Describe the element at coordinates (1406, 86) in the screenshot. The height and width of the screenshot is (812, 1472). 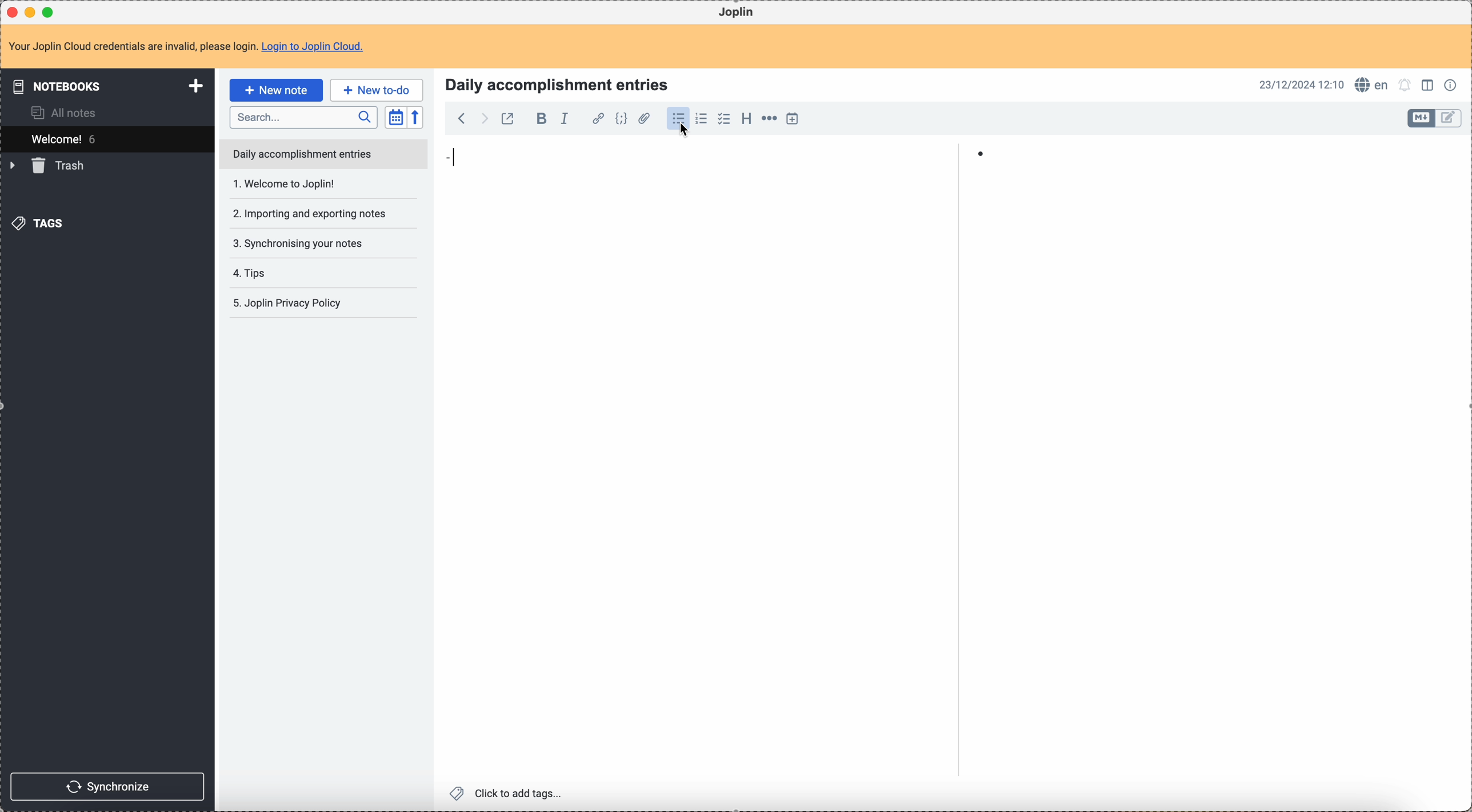
I see `set notifications` at that location.